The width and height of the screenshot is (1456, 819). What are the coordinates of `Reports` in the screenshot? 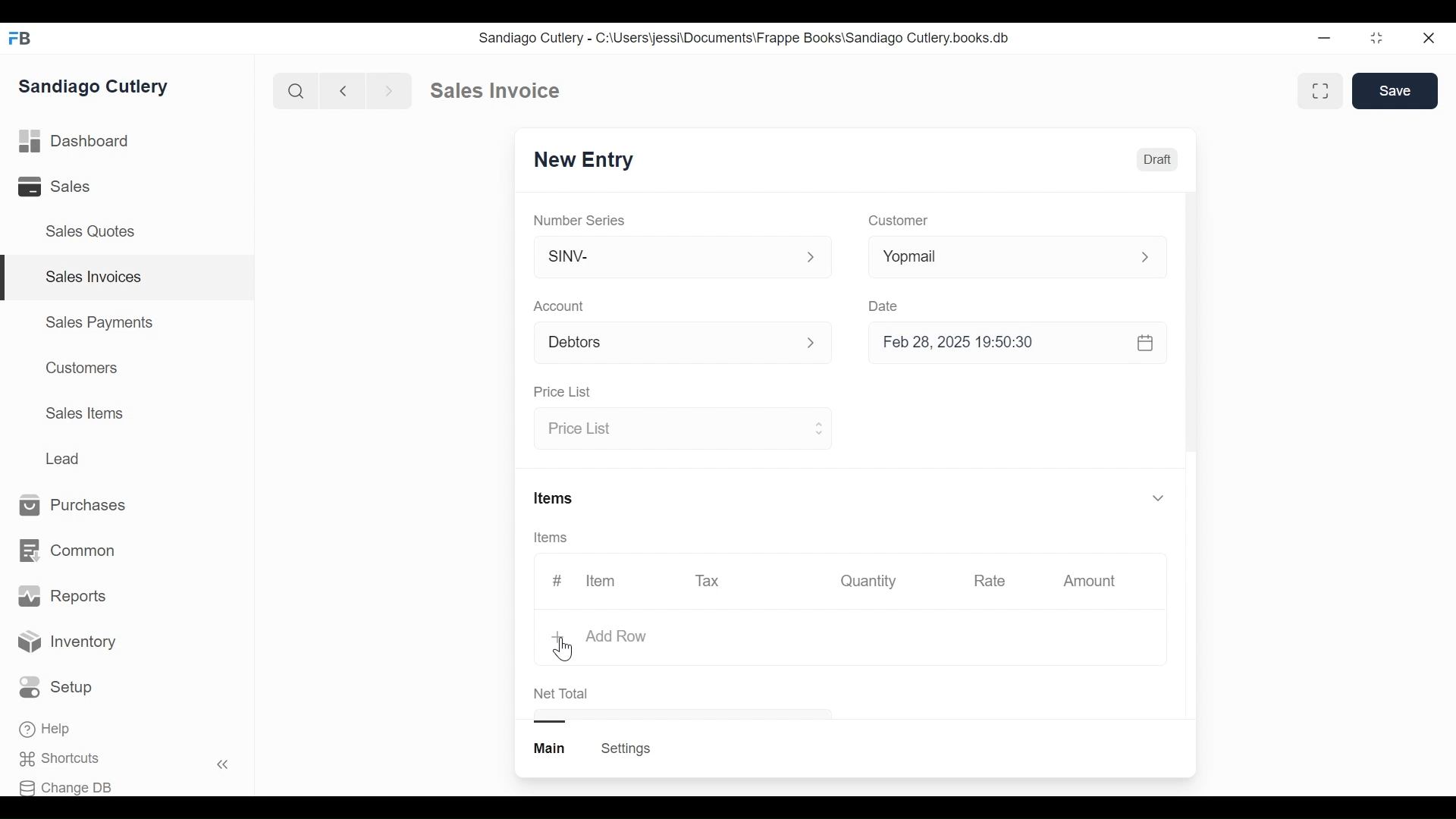 It's located at (62, 596).